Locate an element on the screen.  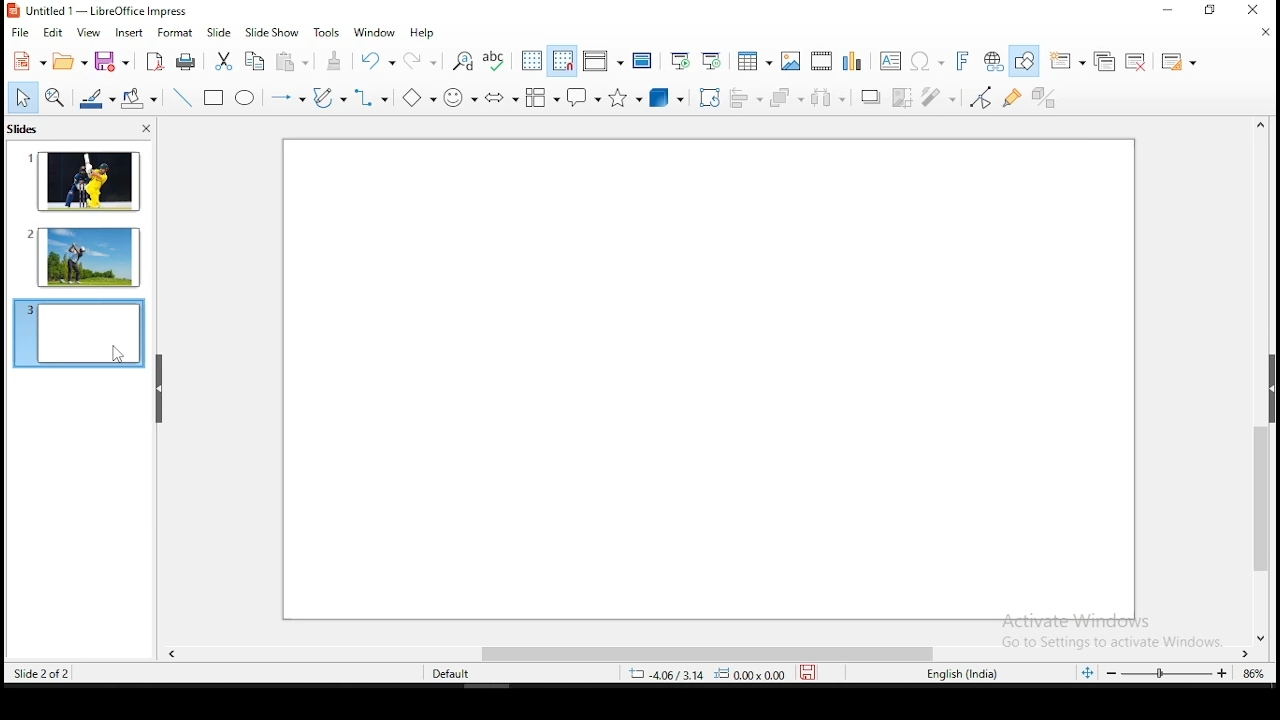
delete slide is located at coordinates (1136, 62).